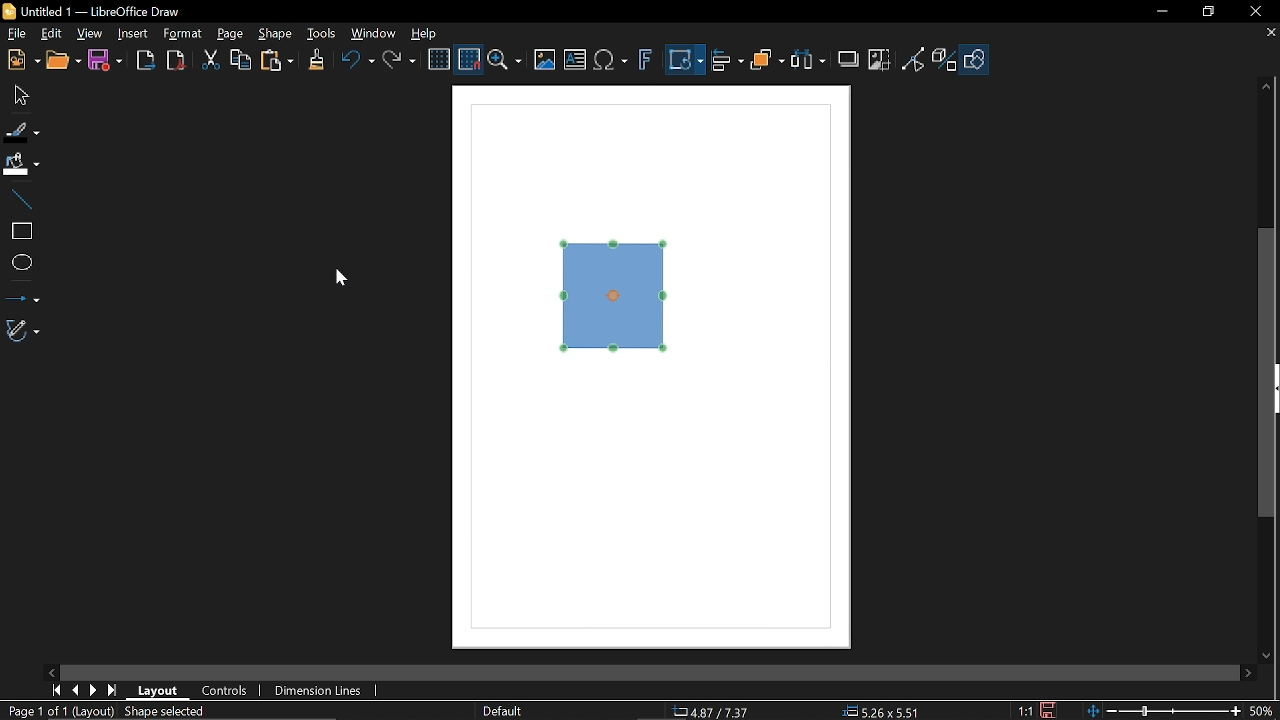  What do you see at coordinates (21, 331) in the screenshot?
I see `Curves and polygons` at bounding box center [21, 331].